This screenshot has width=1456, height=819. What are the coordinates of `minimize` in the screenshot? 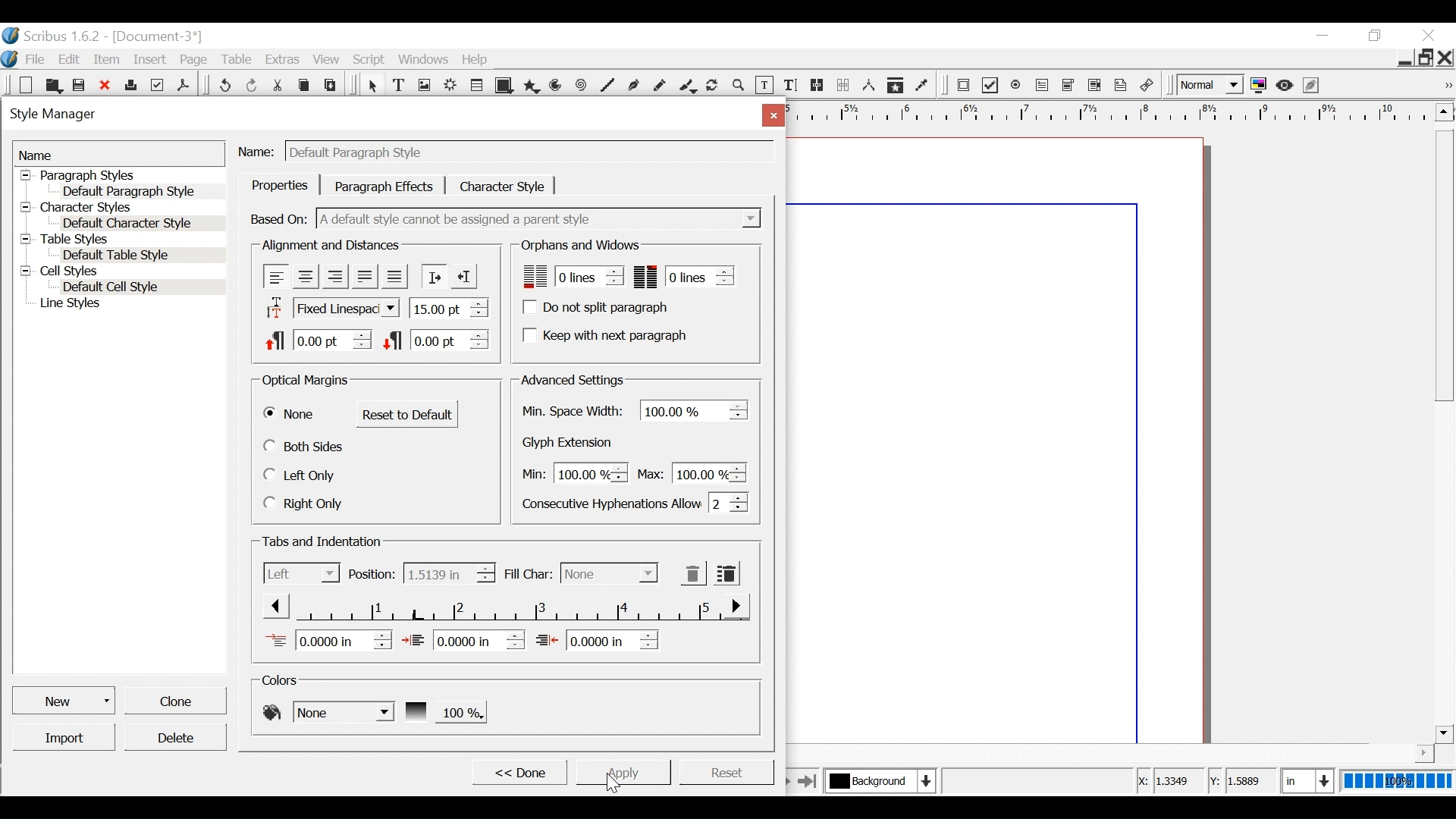 It's located at (1322, 35).